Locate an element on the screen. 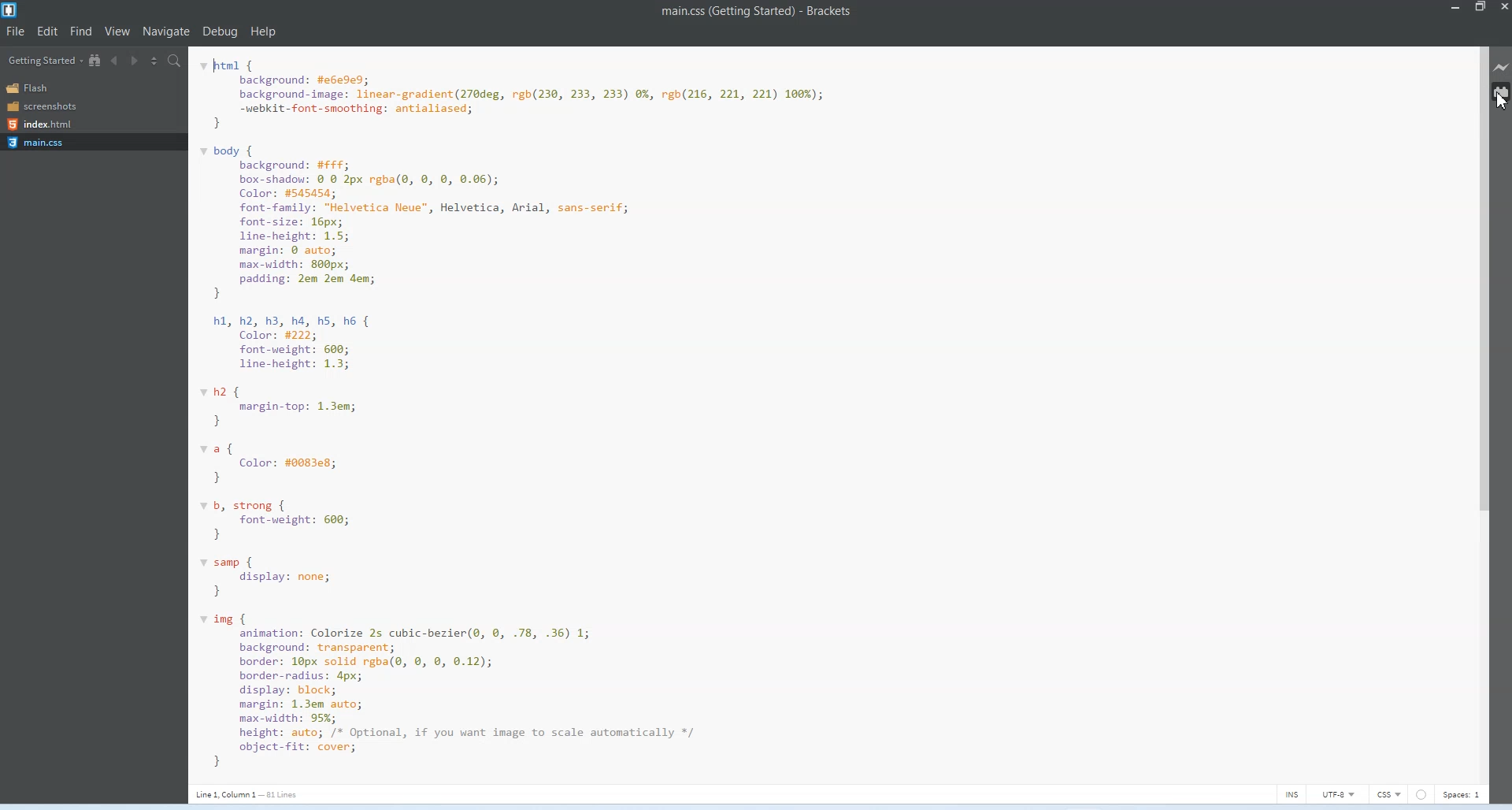 The height and width of the screenshot is (810, 1512). v html {
background: #e6eded;
background-image: linear-gradient(270deg, rgb(230, 233, 233) 0%, rgb(216, 221, 221) 100%);
-webkit-font-smoothing: antialiased;
}
v body {
background: #FFf;
box-shadow: © @ 2px rgba(e, ©, 8, 0.06);
Color: #545454;
font-family: "Helvetica Neue", Helvetica, Arial, sans-serif;
font-size: 16px;
line-height: 1.5;
margin: @ auto;
max-width: 800px;
padding: 2em 2em dem;
}
hi, h2, h3, ha, hS, h6 {
Color: #222;
font-weight: 660;
line-height: 1.3;
vh2 {
margin-top: 1.3em;
}
va{
Color: #0083e8;
}
vb, strong {
font-weight: 660;
}
v samp {
display: none;
}
v img {
animation: Colorize 2s cubic-bezier(@, 0, .78, .36) 1;
background: transparent;
border: 16px solid rgba(9, ©, 8, 0.12);
border-radius: 4px;
display: block;
margin: 1.3em auto;
max-width: 95%;
height: auto; /* Optional, if you want image to scale automatically */
object-fit: cover;
} is located at coordinates (544, 412).